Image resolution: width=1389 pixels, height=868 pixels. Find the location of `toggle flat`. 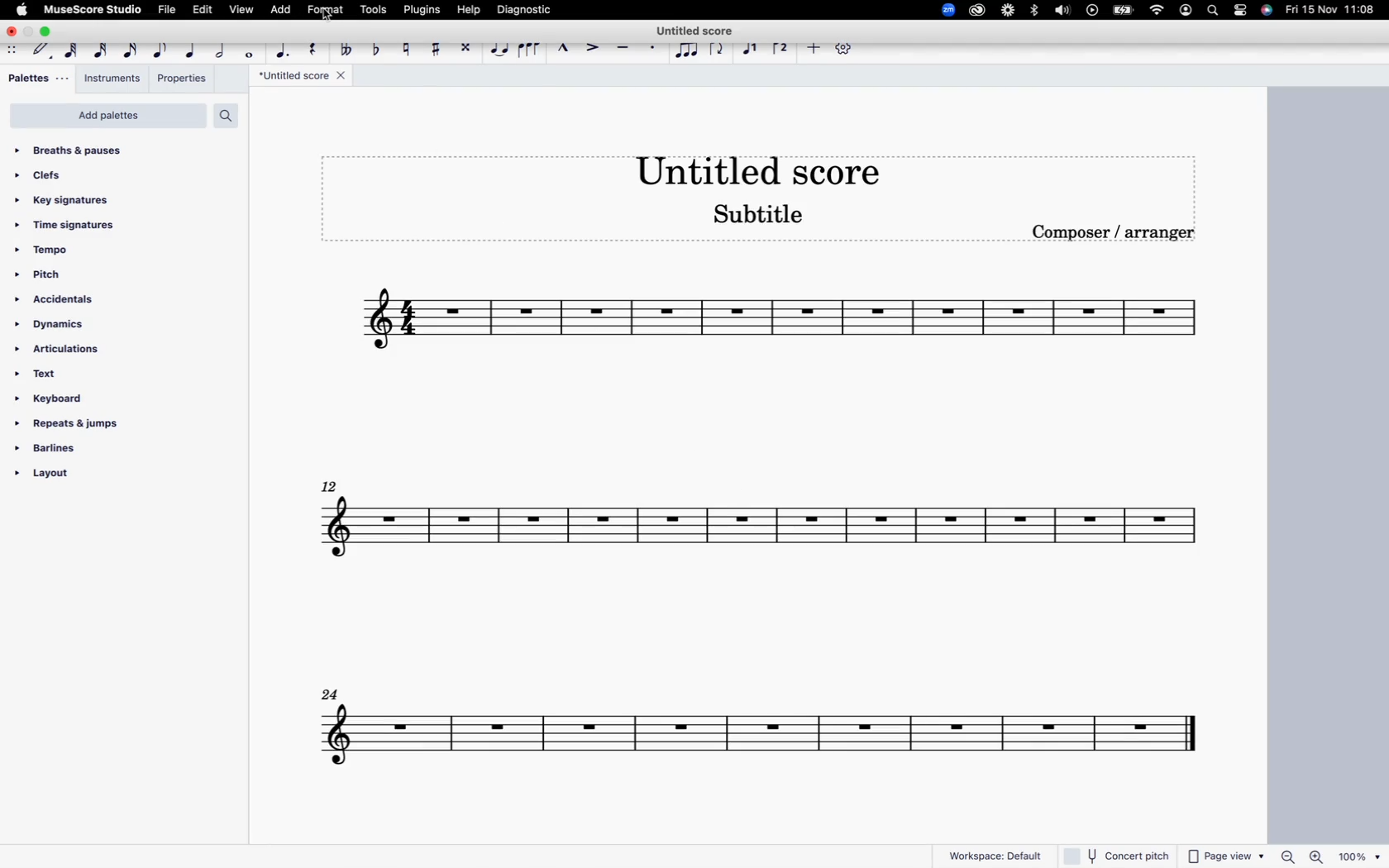

toggle flat is located at coordinates (375, 49).